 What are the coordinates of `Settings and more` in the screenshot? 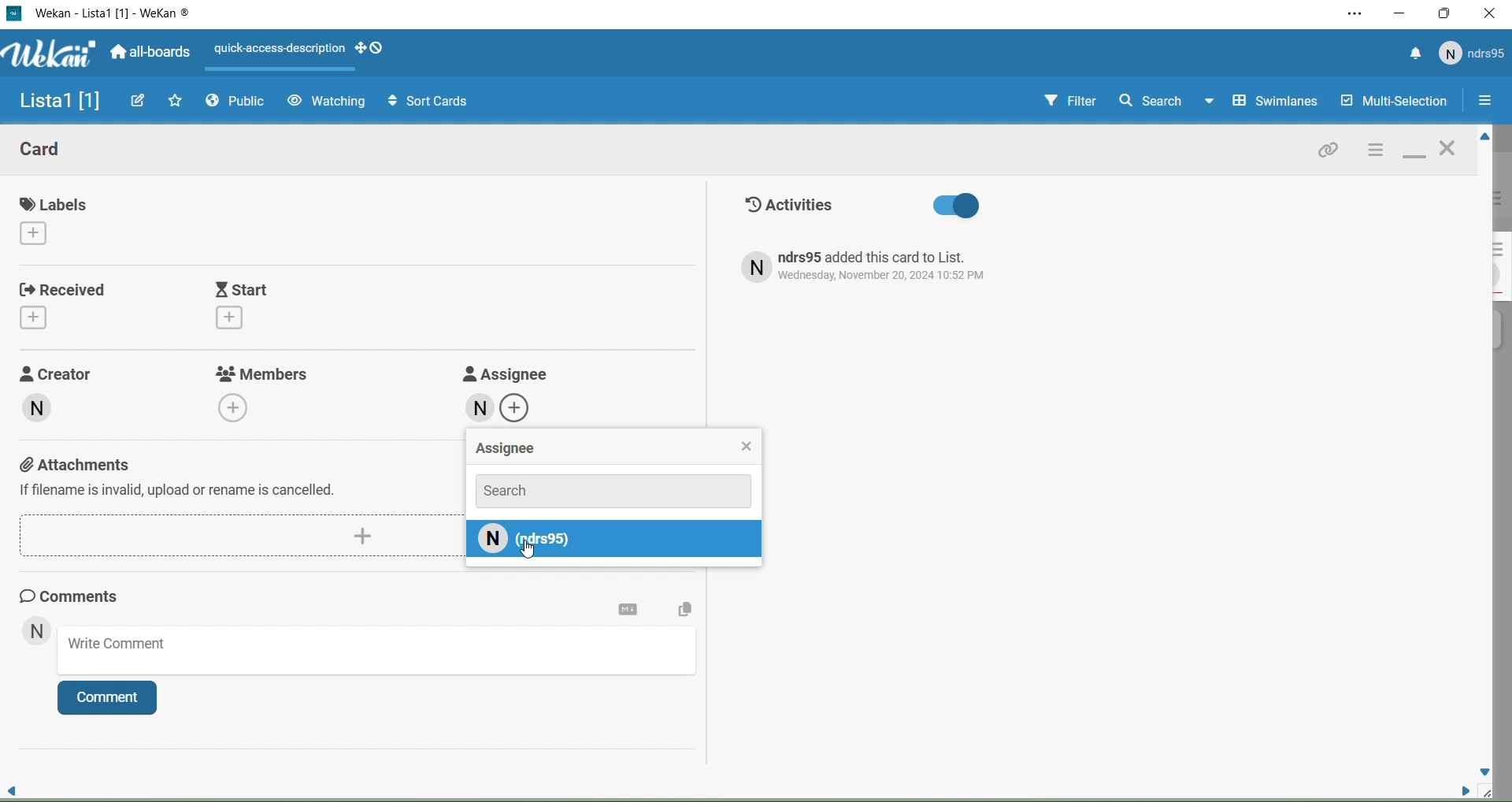 It's located at (1353, 15).